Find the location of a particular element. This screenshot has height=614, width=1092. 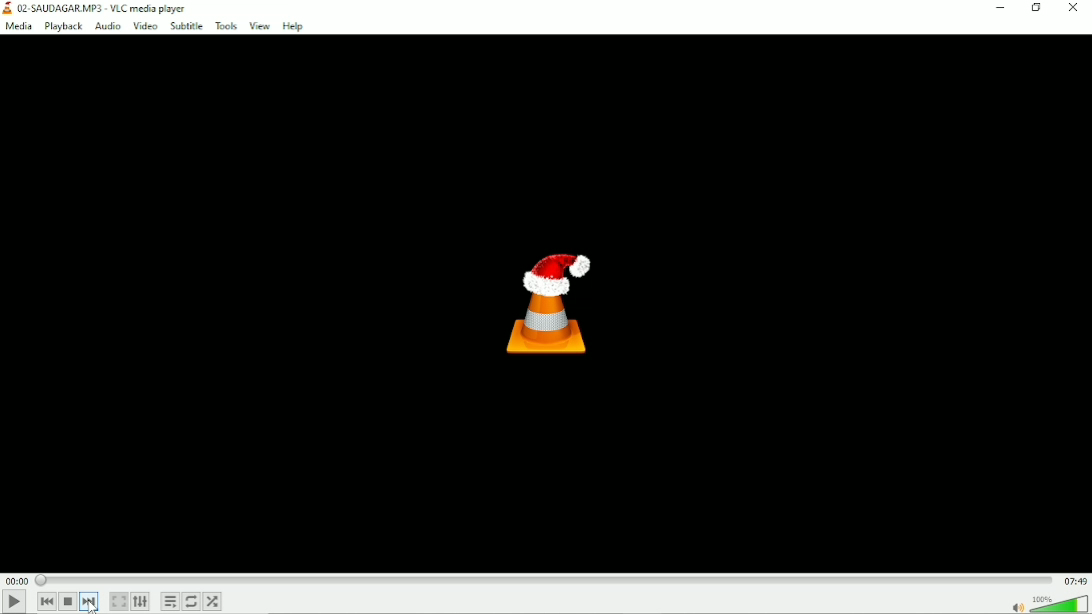

Tools is located at coordinates (225, 25).